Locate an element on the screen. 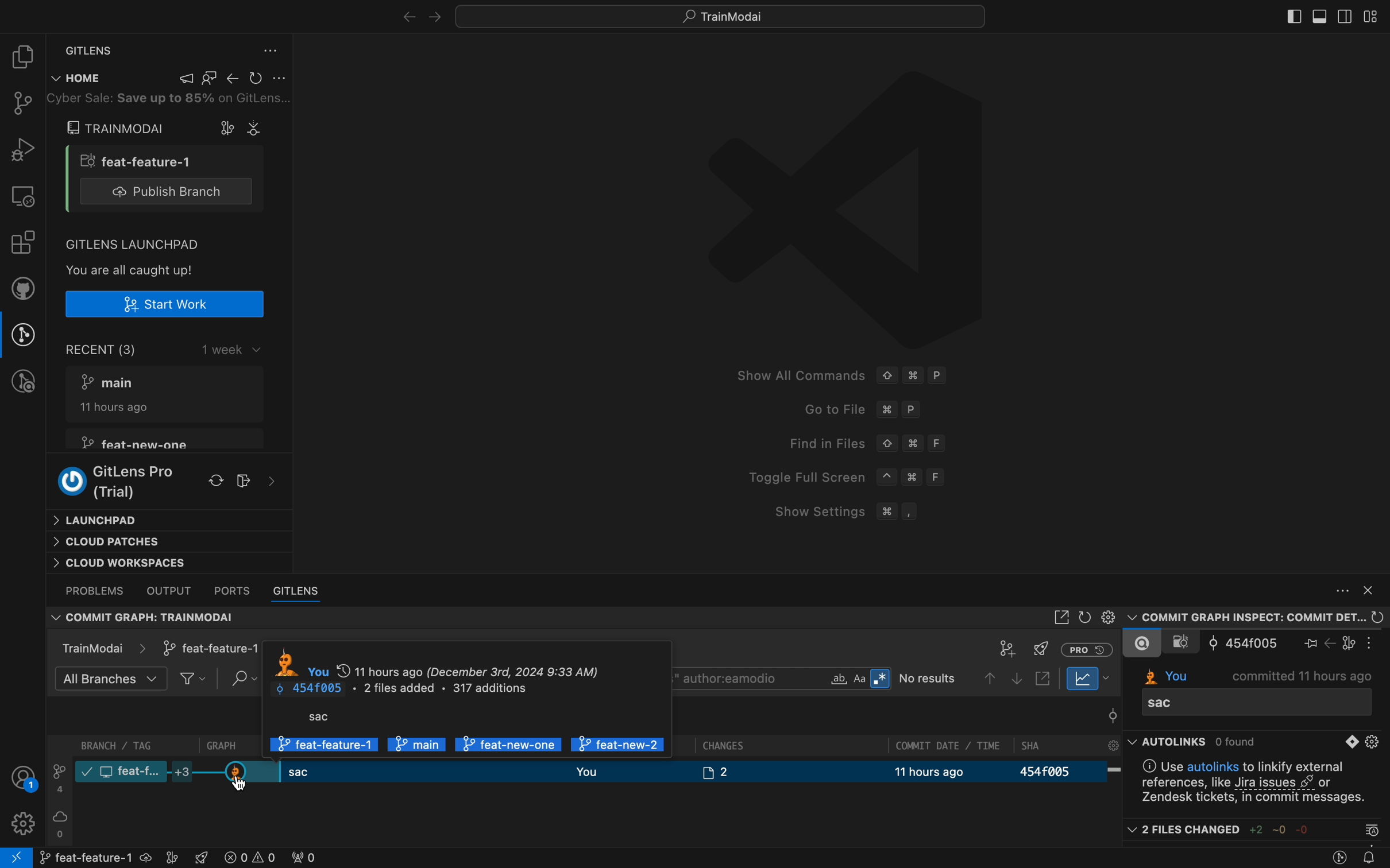  git panel is located at coordinates (1009, 649).